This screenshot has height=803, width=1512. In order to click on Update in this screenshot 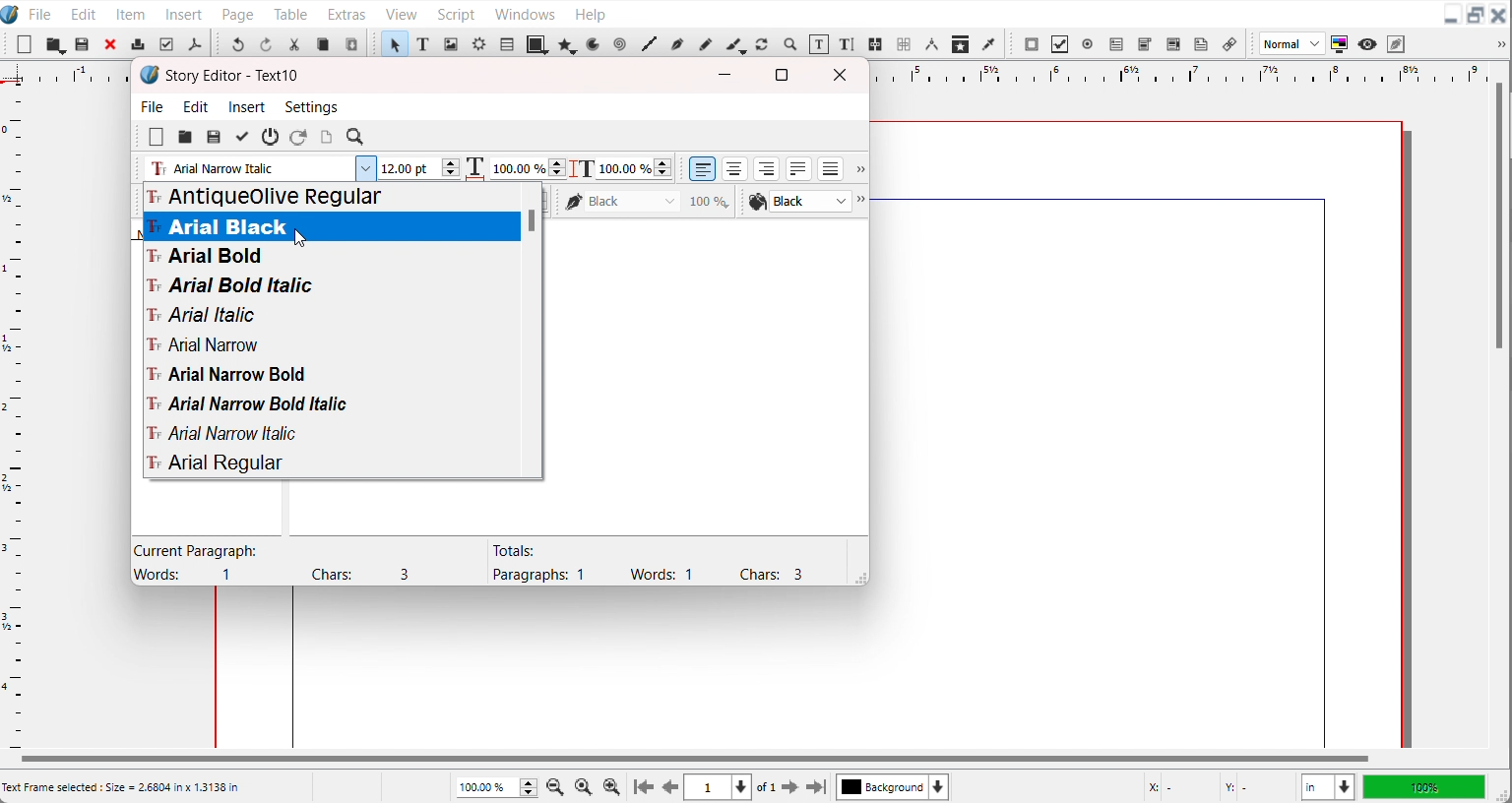, I will do `click(241, 137)`.